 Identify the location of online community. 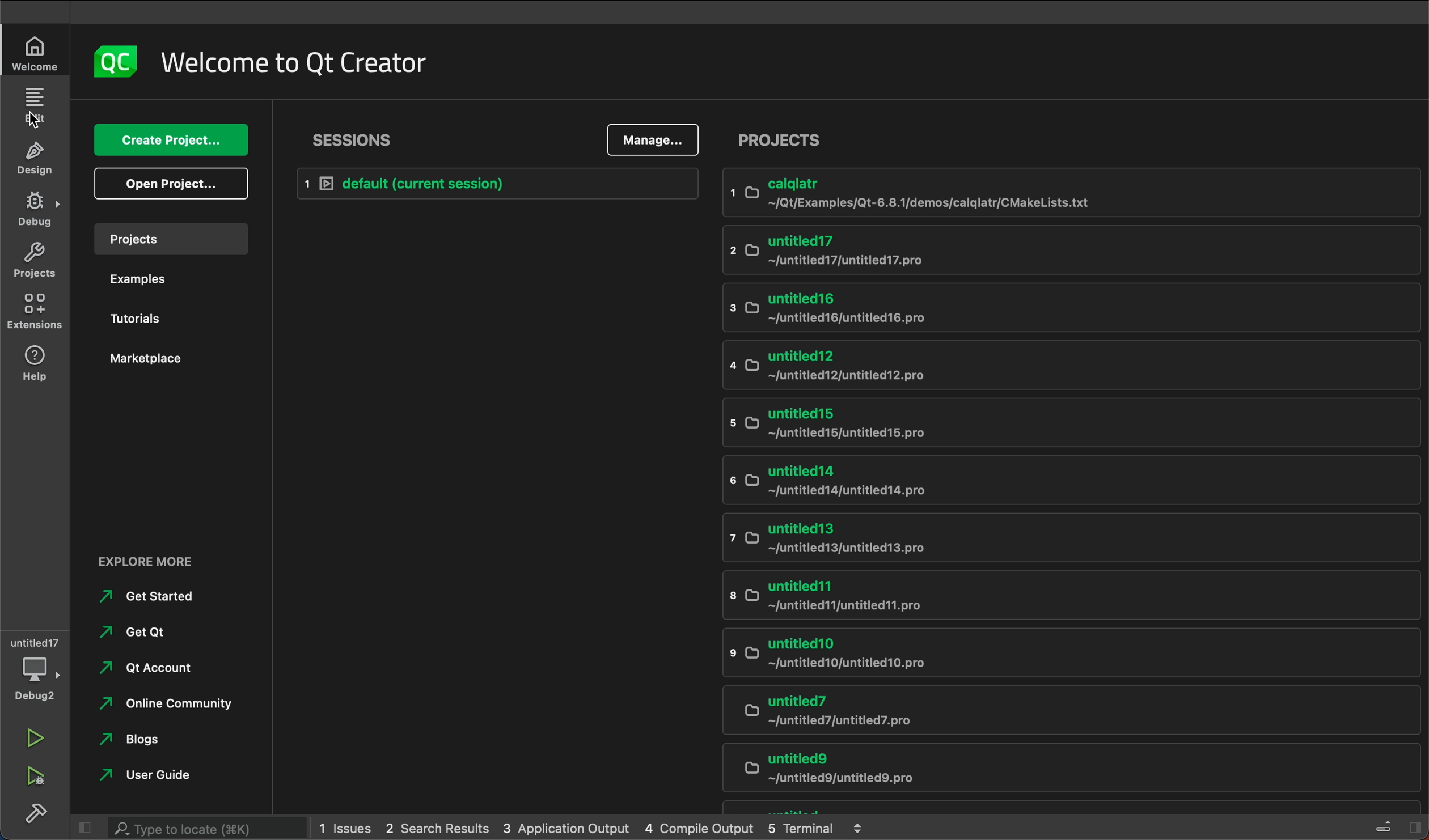
(158, 703).